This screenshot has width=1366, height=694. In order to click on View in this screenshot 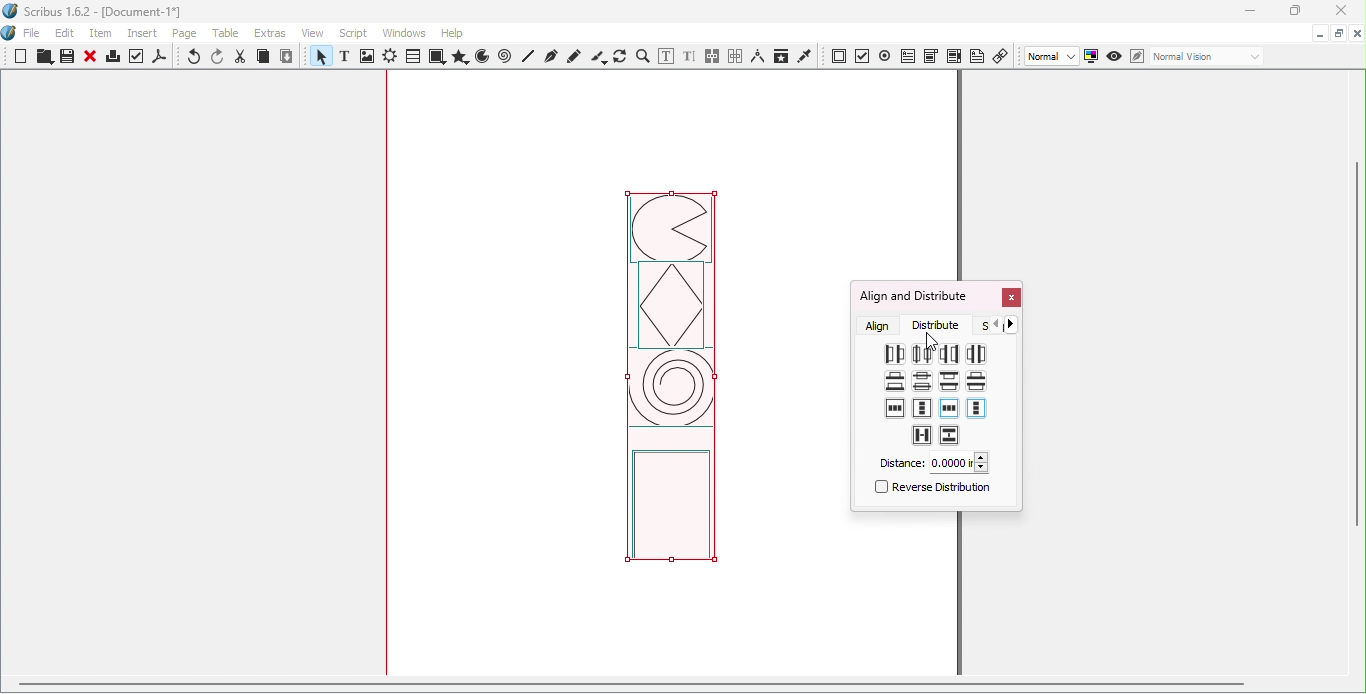, I will do `click(317, 32)`.